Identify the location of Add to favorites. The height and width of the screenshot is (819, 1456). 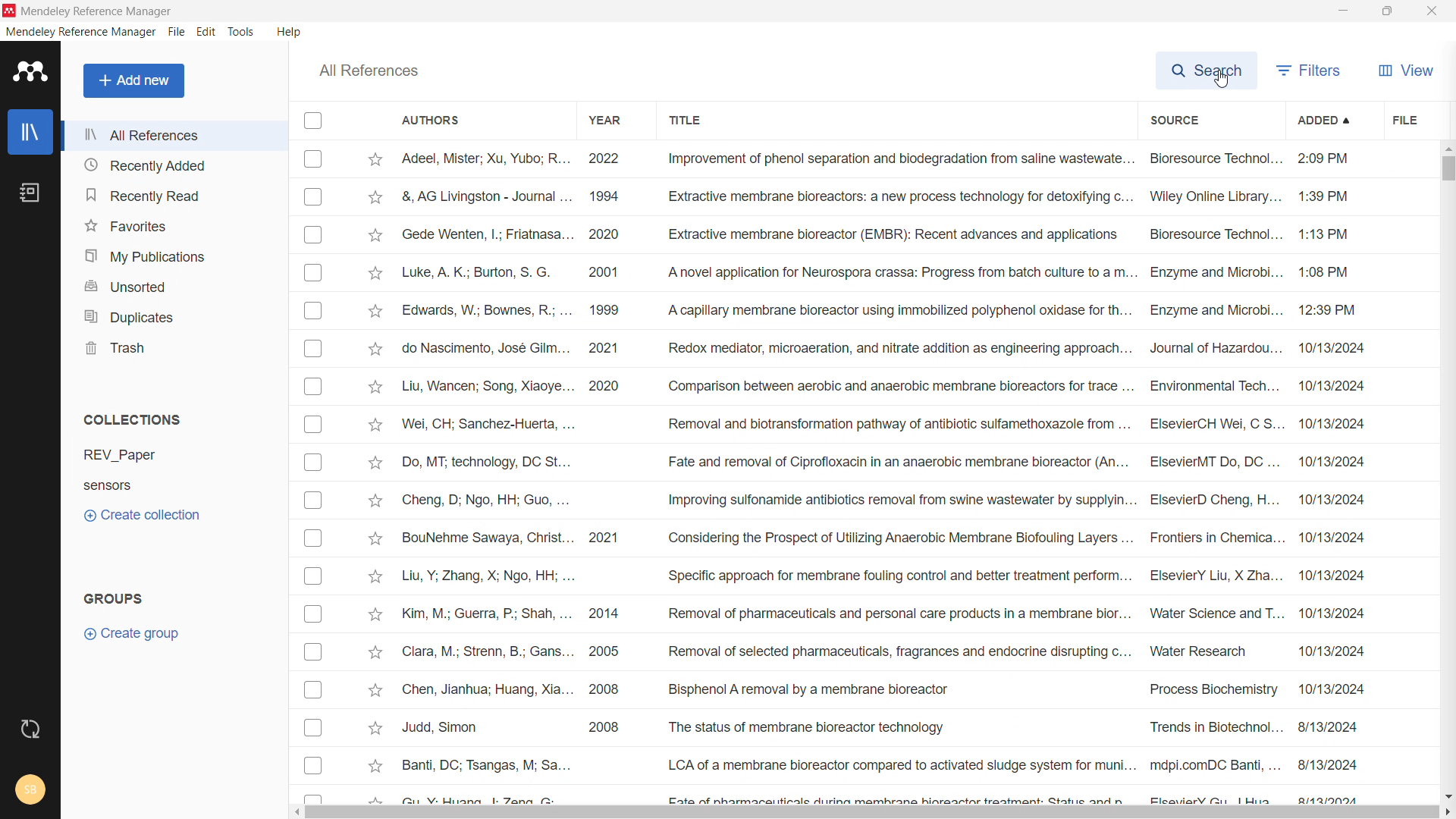
(378, 347).